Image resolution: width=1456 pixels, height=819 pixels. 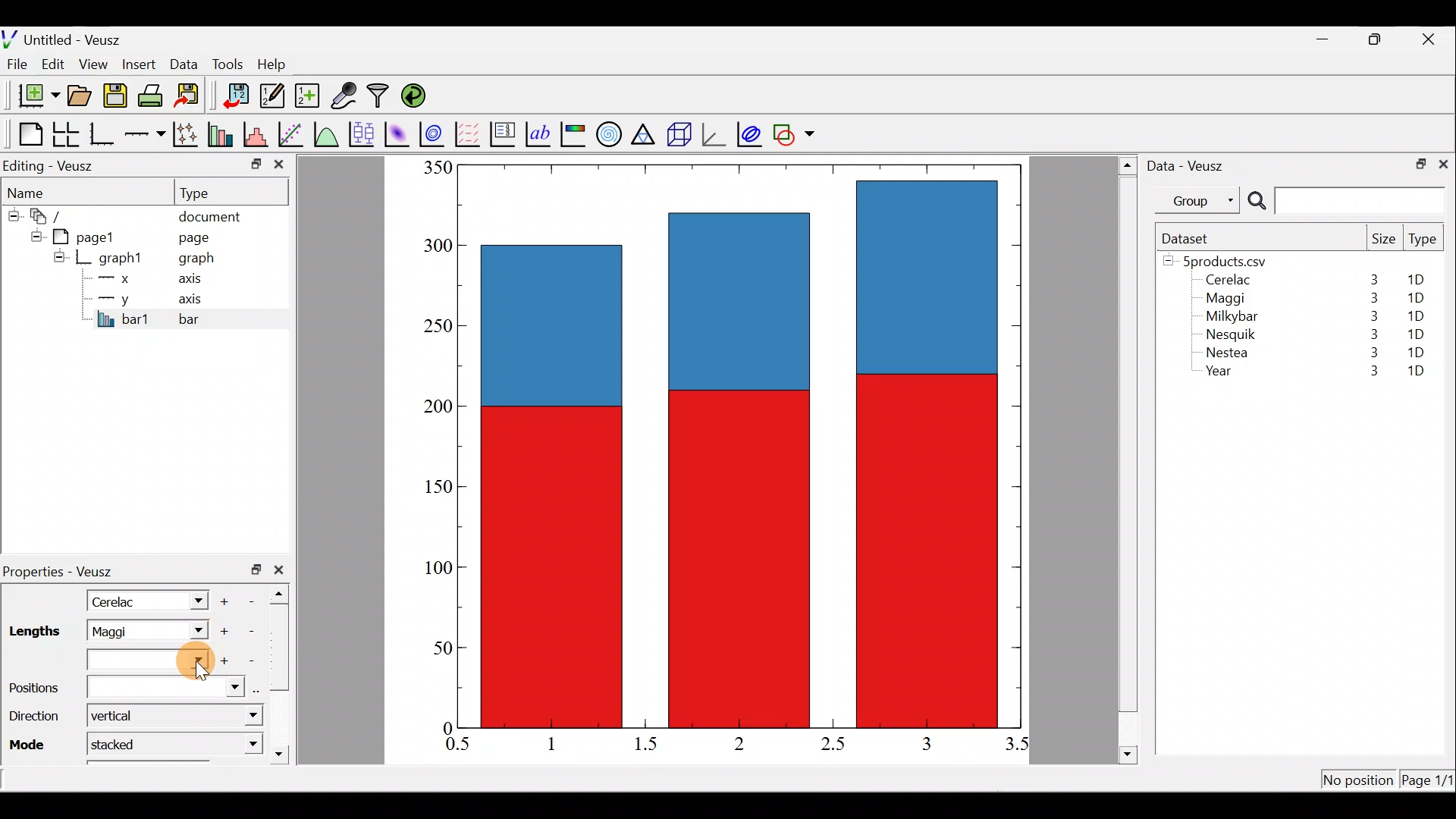 I want to click on Plot points with lines and error bars, so click(x=188, y=135).